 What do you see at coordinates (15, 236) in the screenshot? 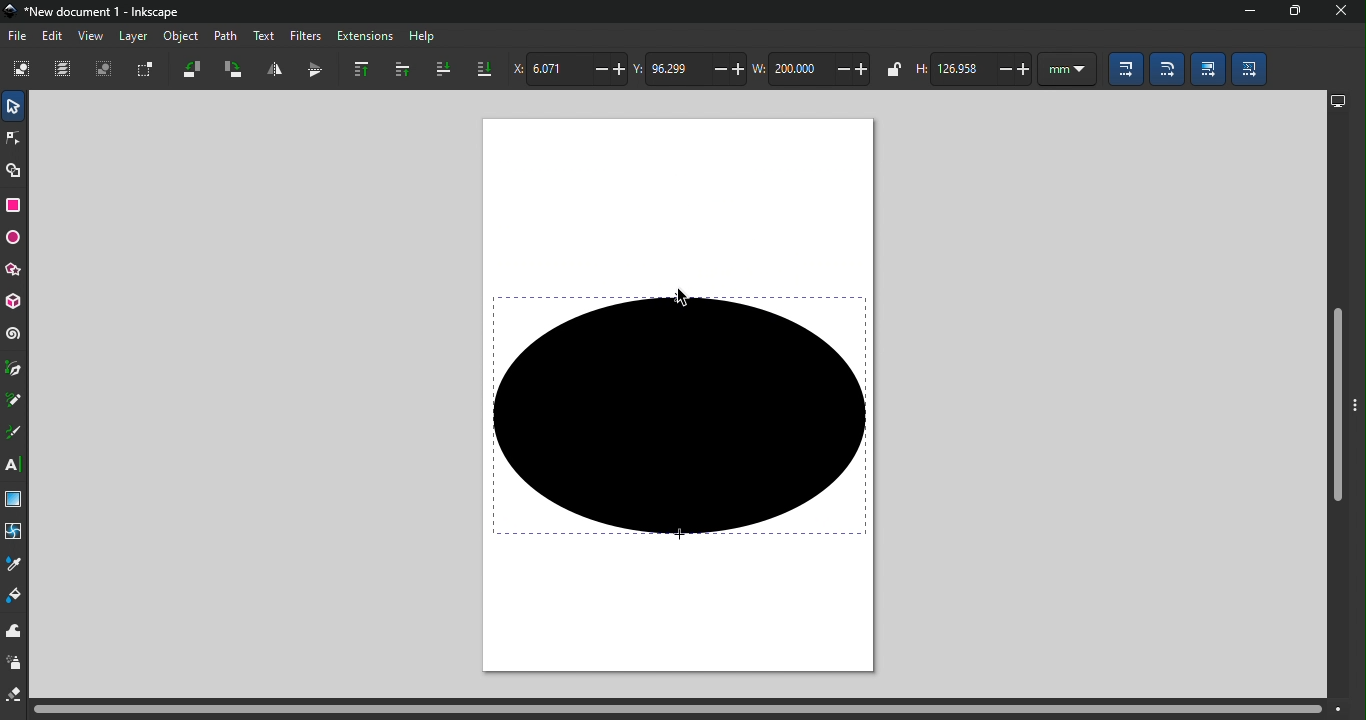
I see `Ellipse/arc tool` at bounding box center [15, 236].